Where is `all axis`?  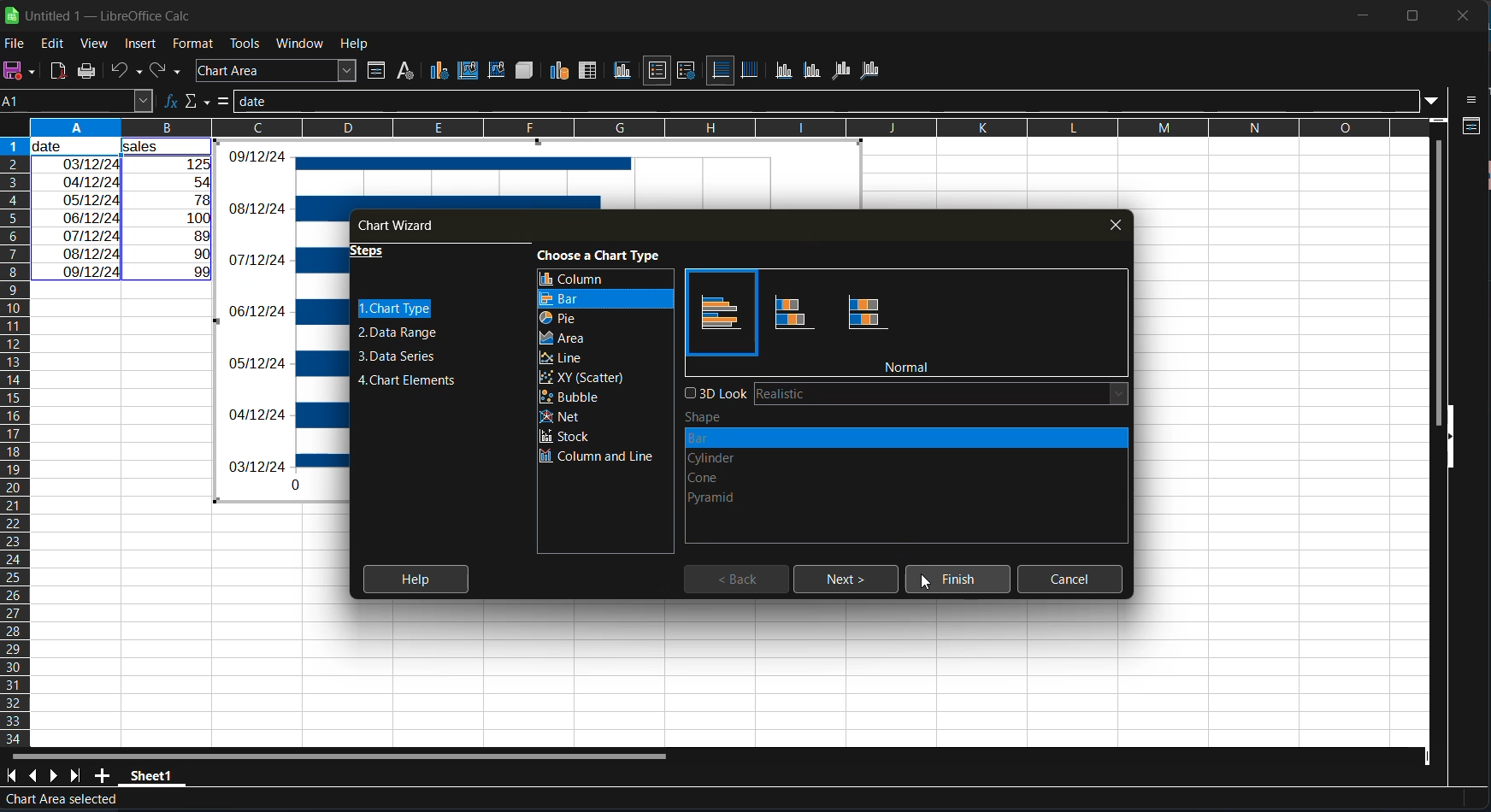 all axis is located at coordinates (873, 70).